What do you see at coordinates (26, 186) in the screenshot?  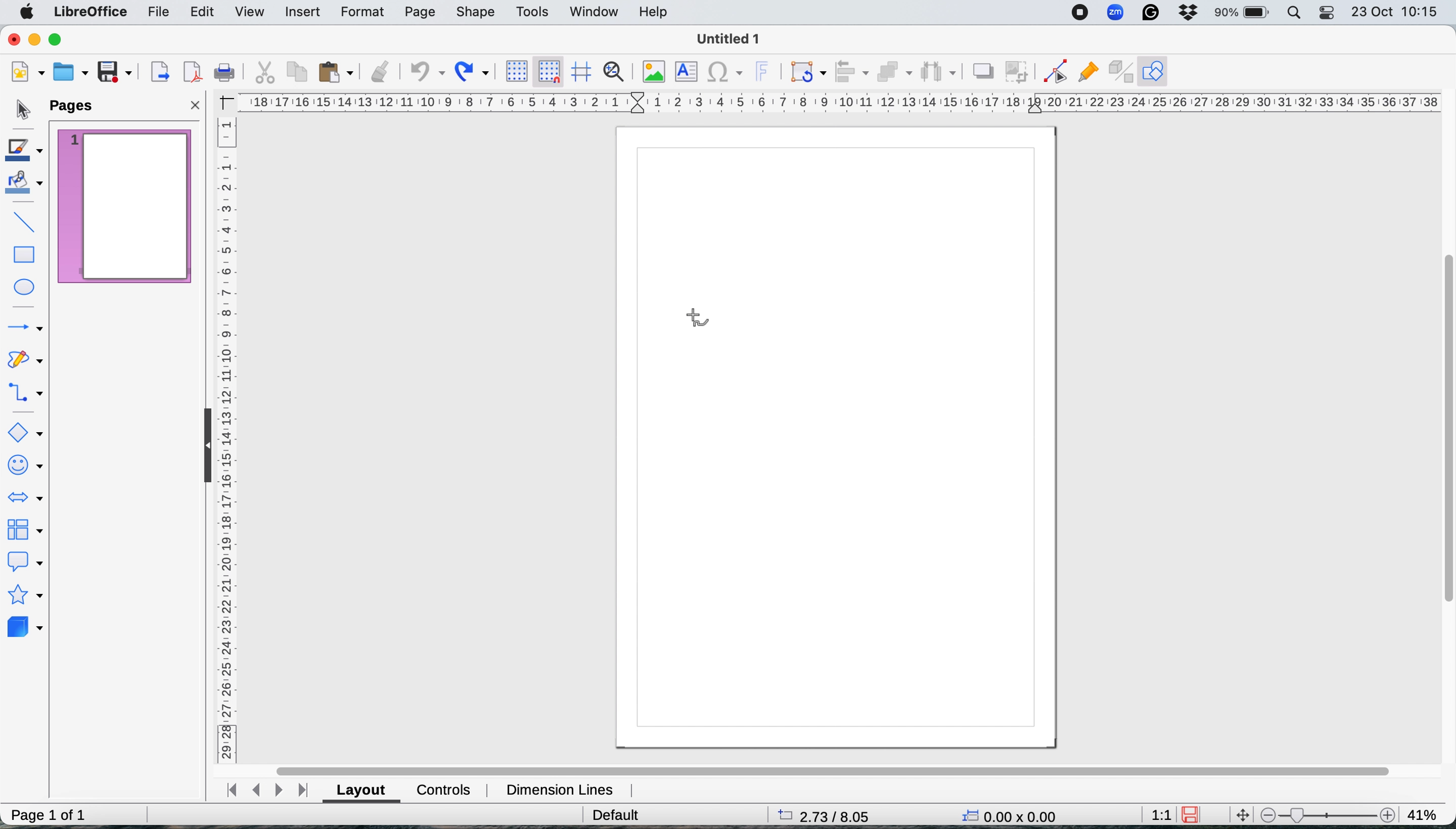 I see `fill color` at bounding box center [26, 186].